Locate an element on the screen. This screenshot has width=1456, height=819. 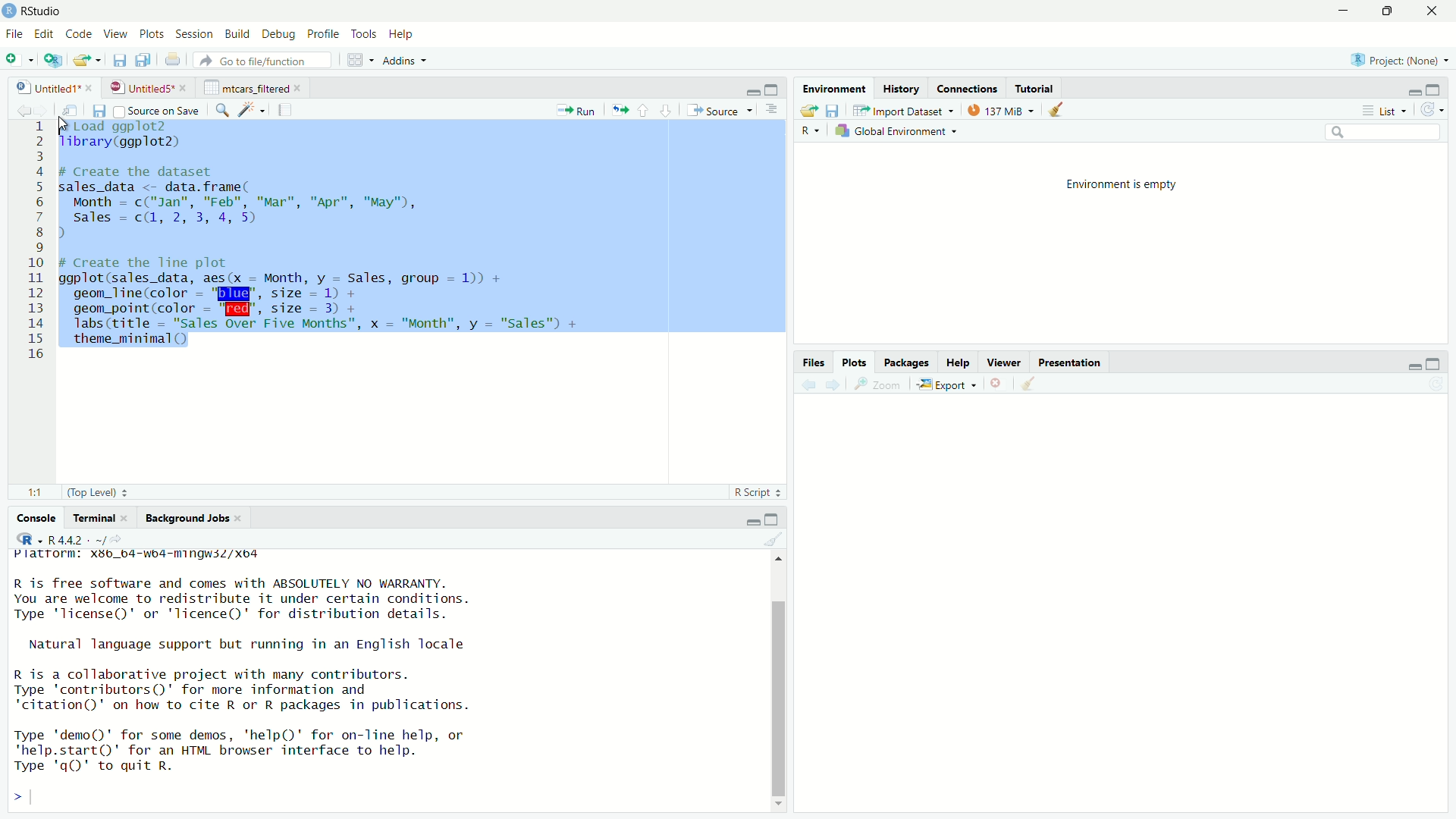
previous code section is located at coordinates (643, 110).